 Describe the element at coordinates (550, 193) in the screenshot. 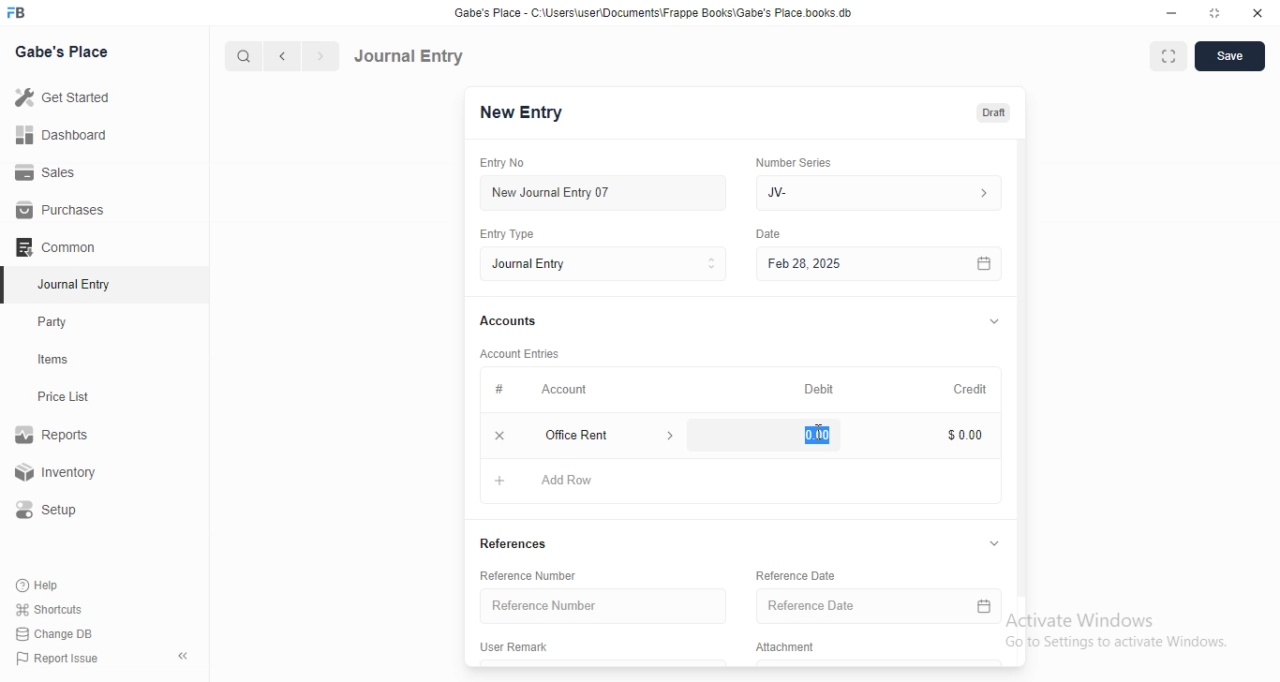

I see `New Journal Entry 07` at that location.